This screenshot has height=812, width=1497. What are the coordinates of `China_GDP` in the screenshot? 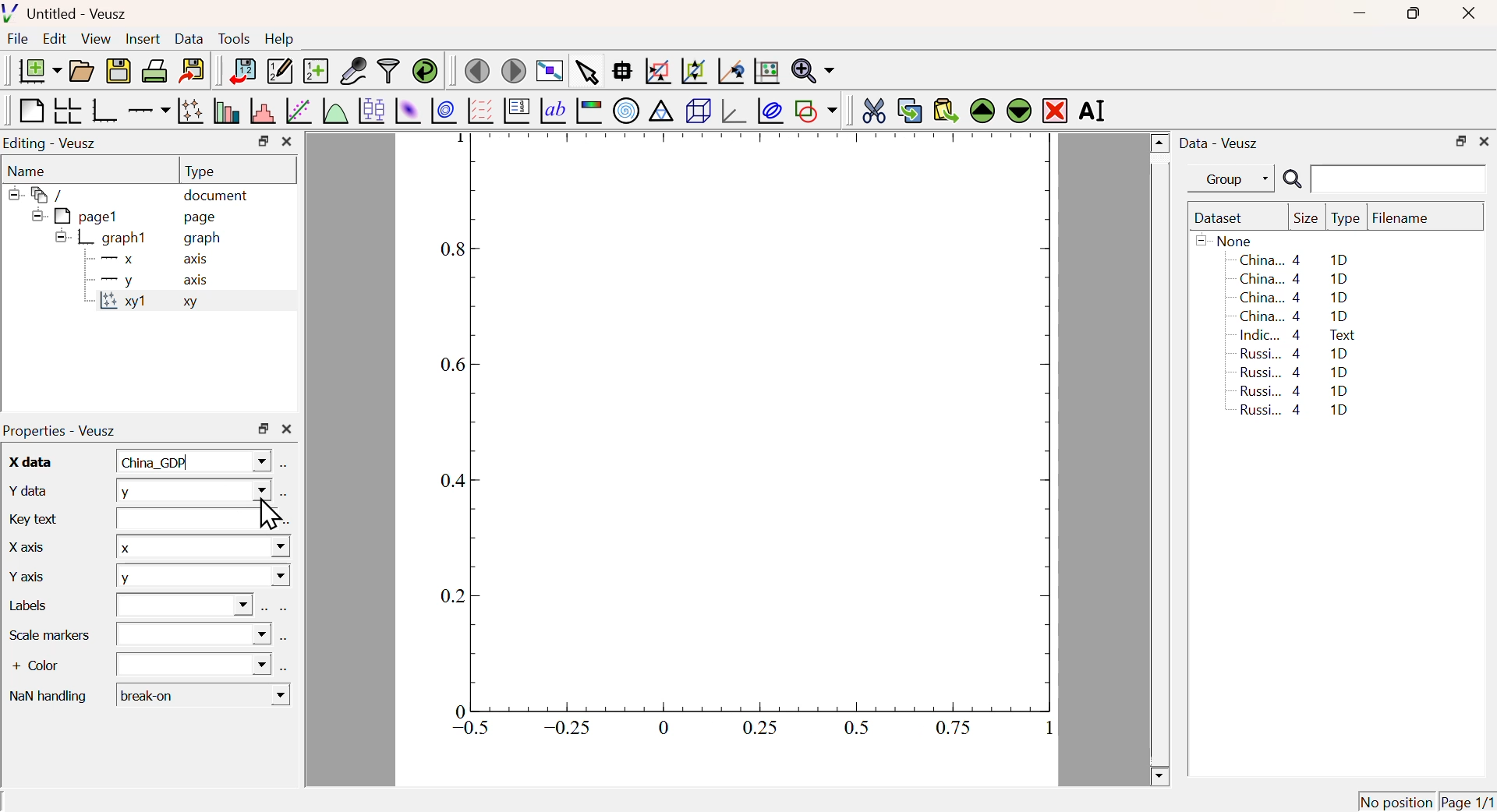 It's located at (190, 461).